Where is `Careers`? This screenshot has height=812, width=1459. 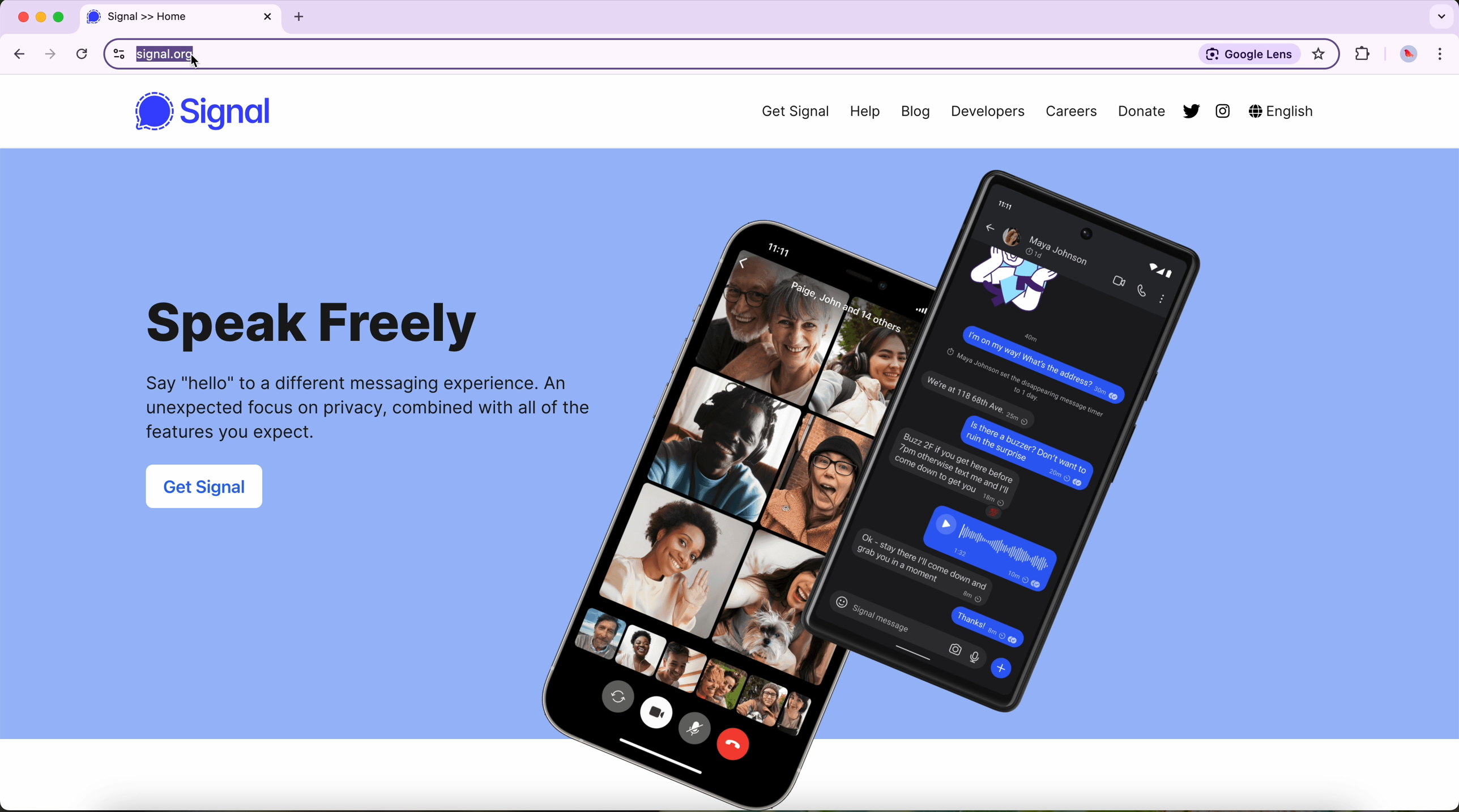
Careers is located at coordinates (1070, 113).